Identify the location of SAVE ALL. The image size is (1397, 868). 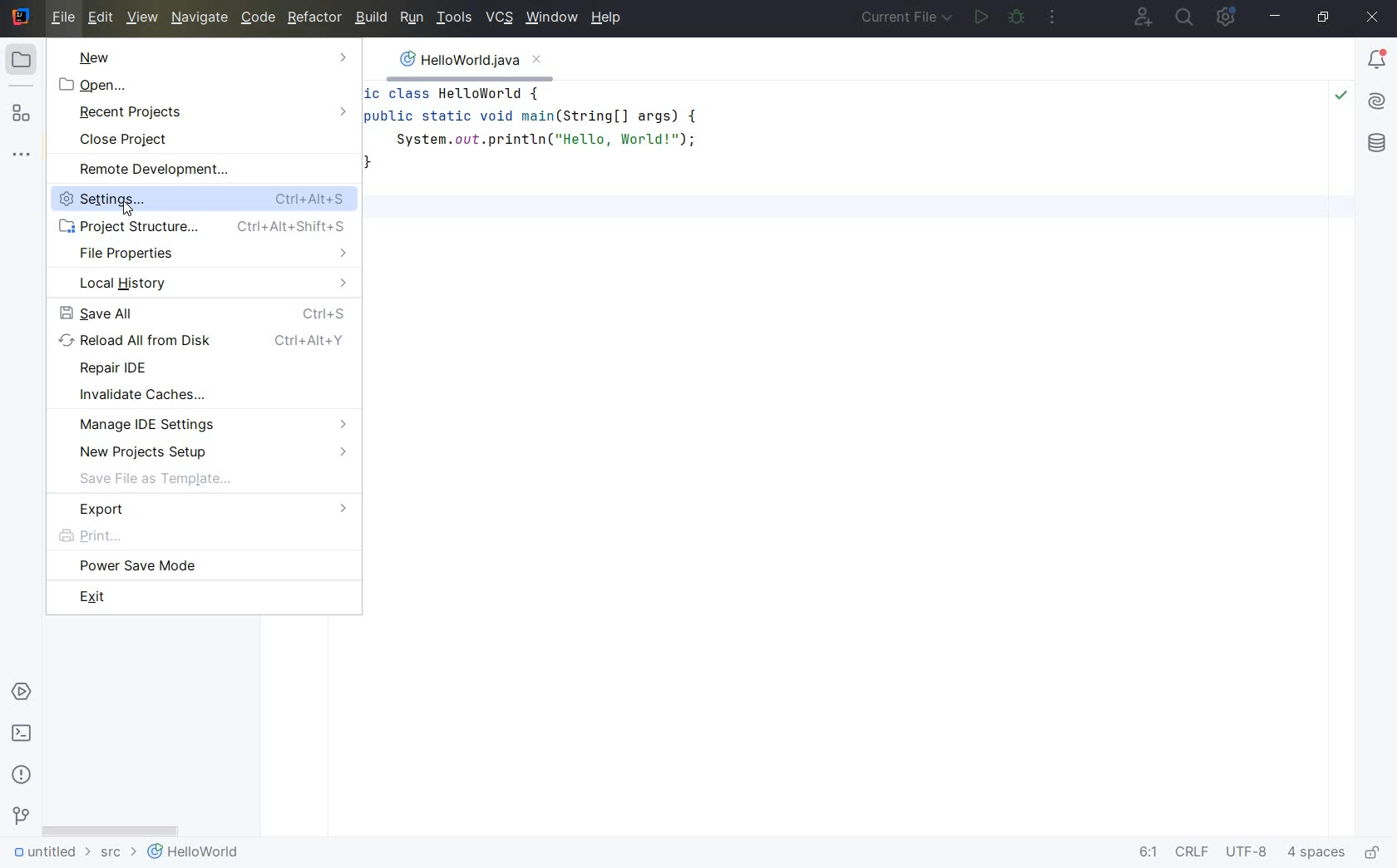
(208, 313).